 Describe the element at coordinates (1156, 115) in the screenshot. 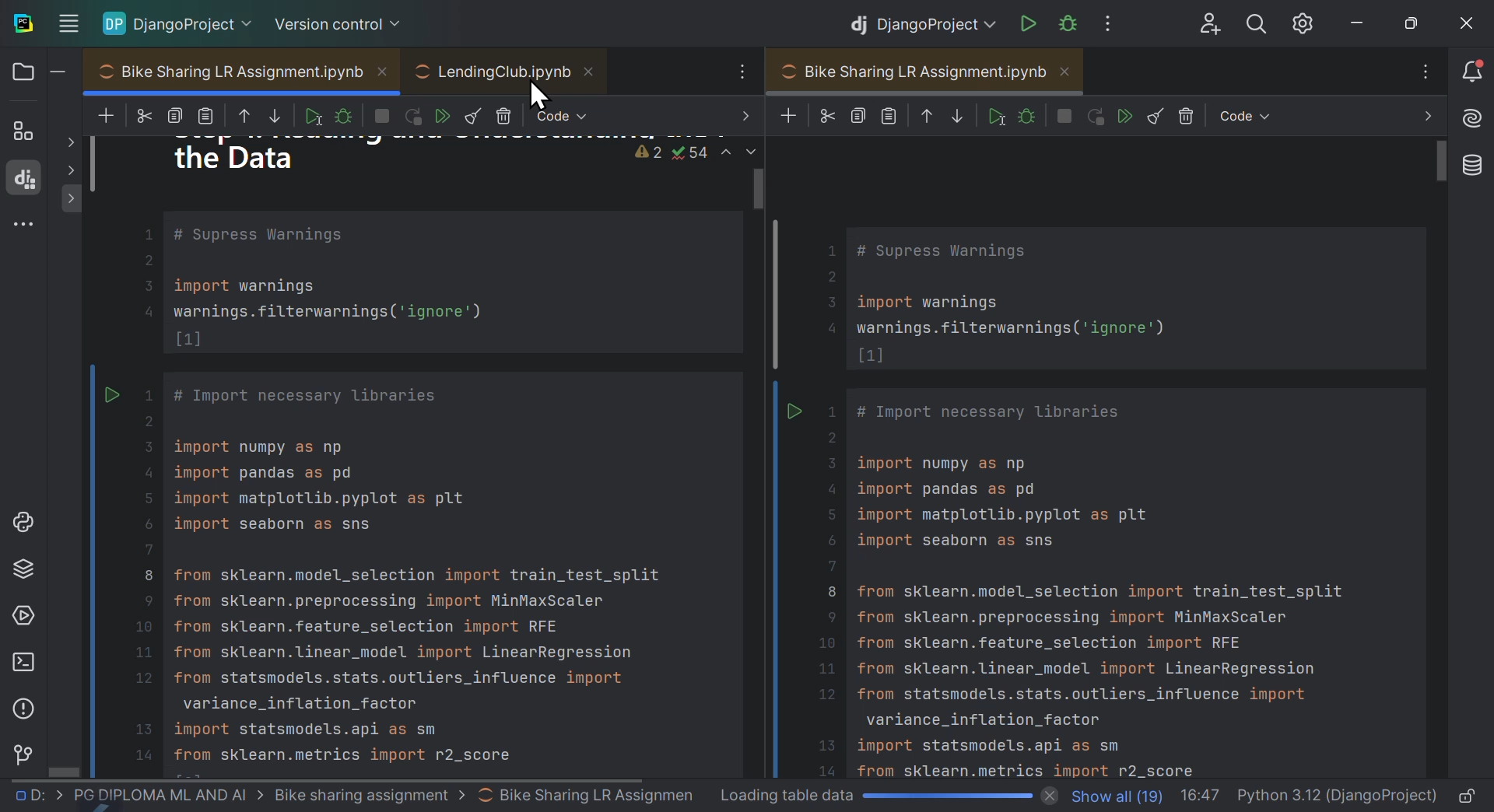

I see `clear all outputs` at that location.